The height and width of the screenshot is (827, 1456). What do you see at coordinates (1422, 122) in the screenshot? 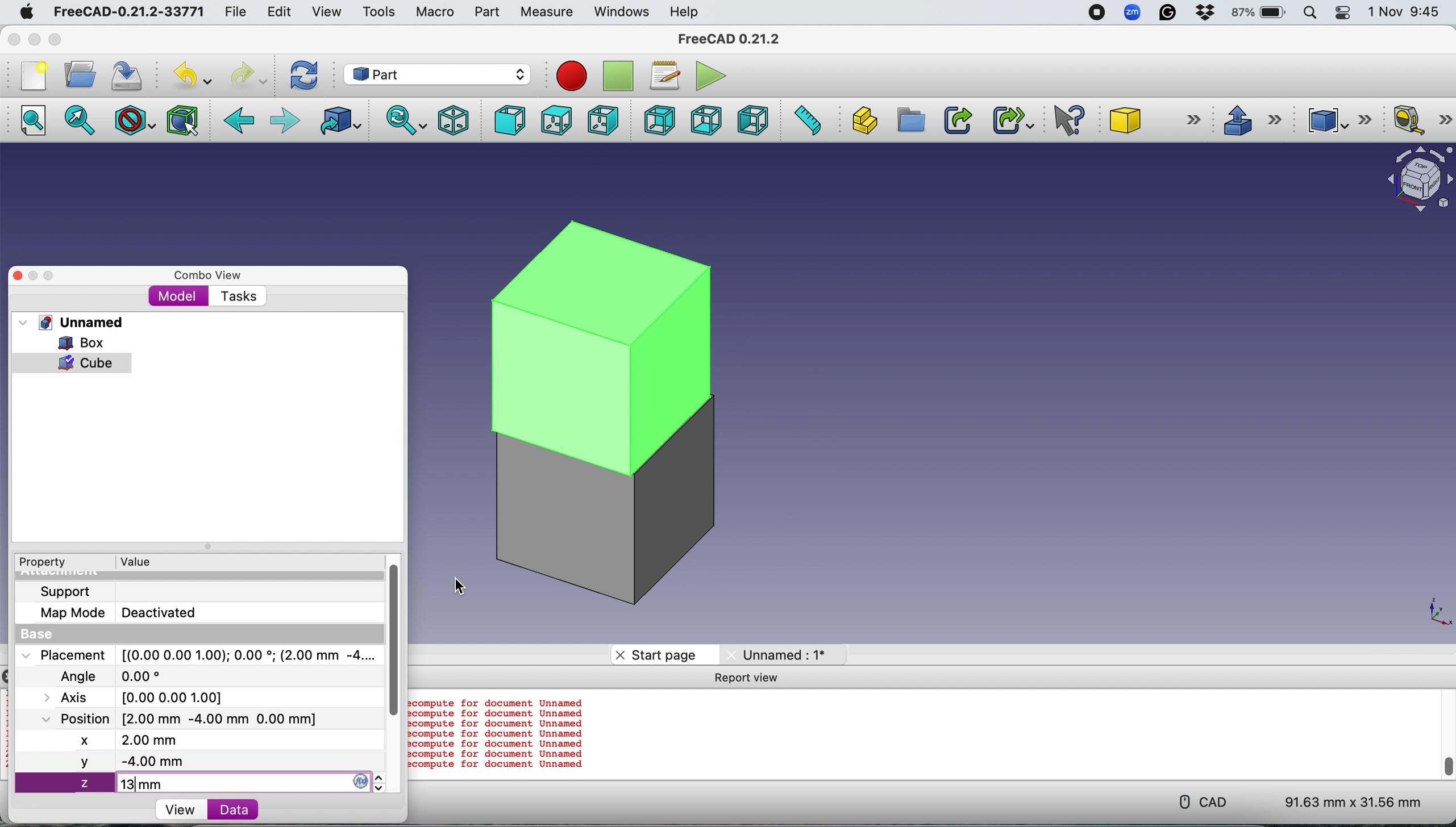
I see `Measure linear` at bounding box center [1422, 122].